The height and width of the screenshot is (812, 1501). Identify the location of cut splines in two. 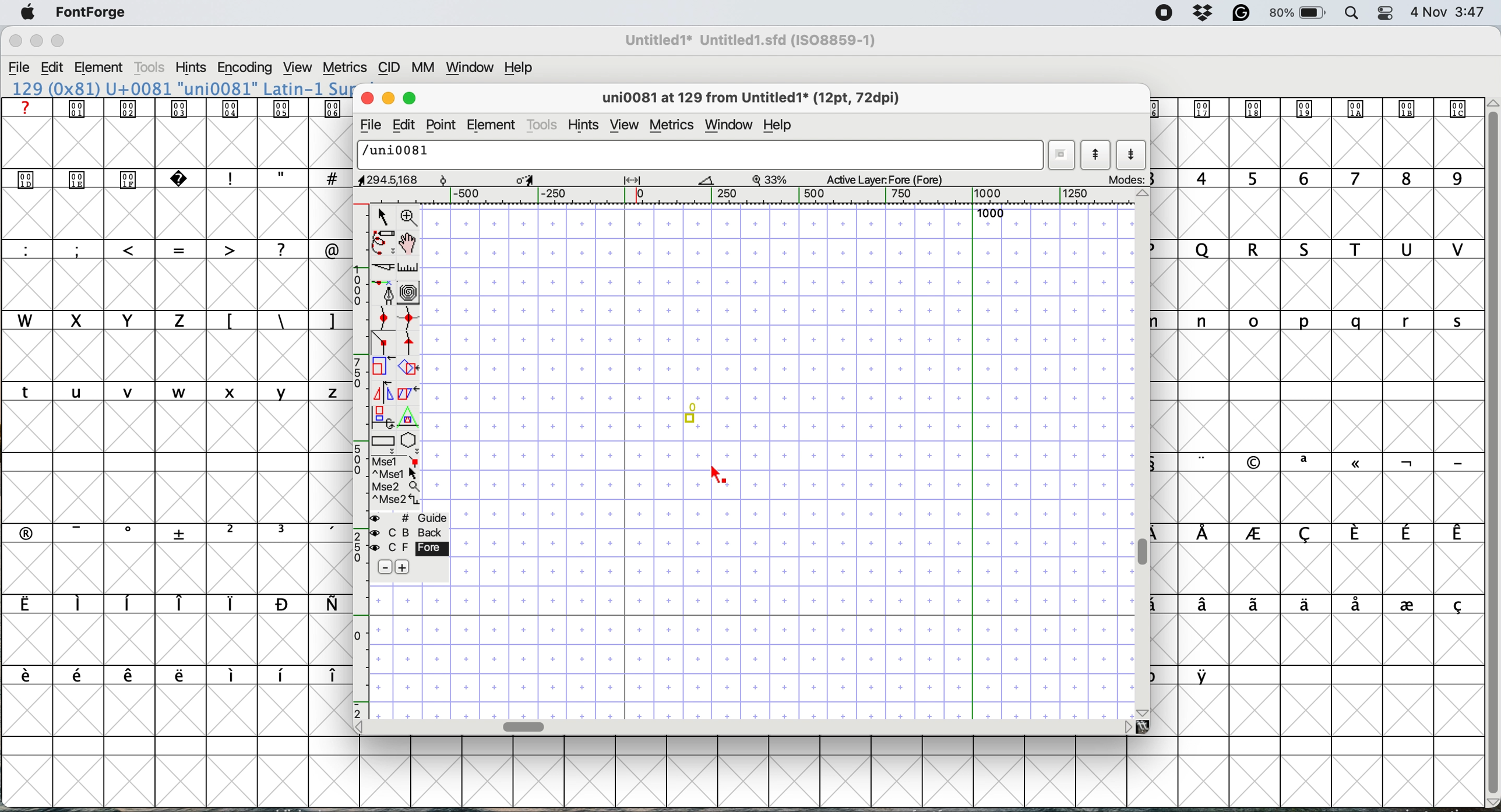
(383, 266).